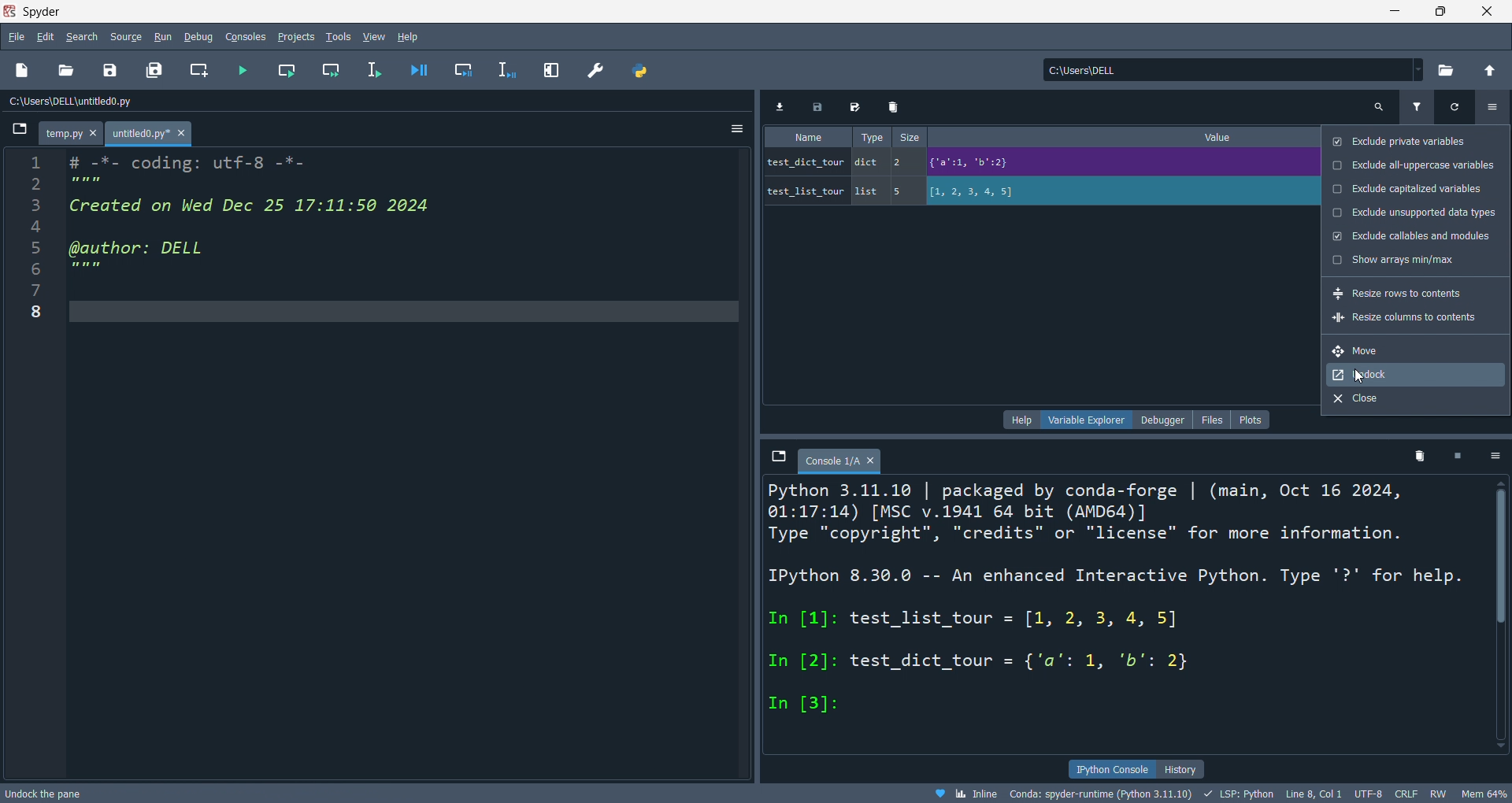 The image size is (1512, 803). Describe the element at coordinates (1418, 213) in the screenshot. I see `exclude unsupperted data types` at that location.